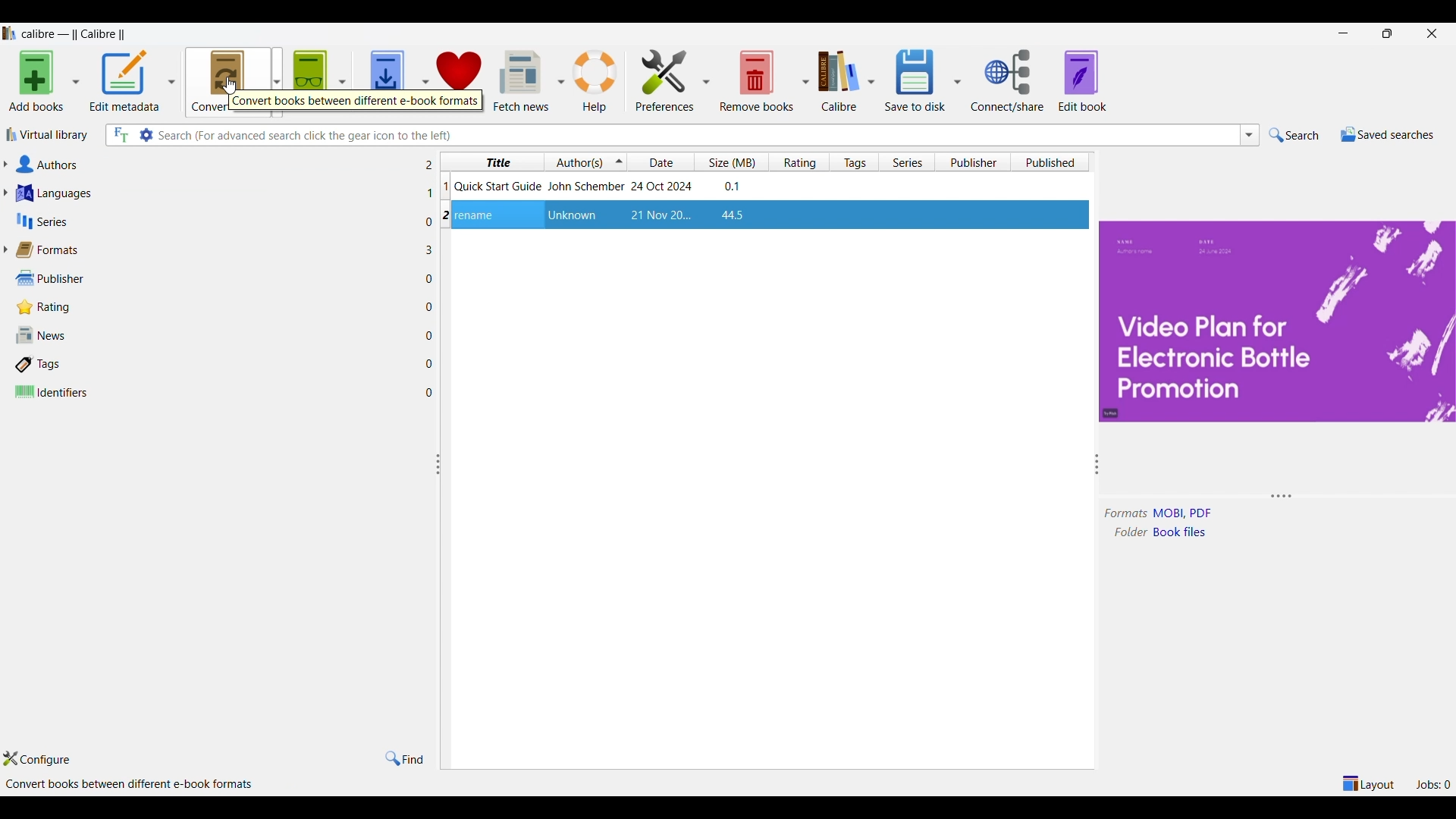 This screenshot has width=1456, height=819. What do you see at coordinates (1184, 532) in the screenshot?
I see `book files` at bounding box center [1184, 532].